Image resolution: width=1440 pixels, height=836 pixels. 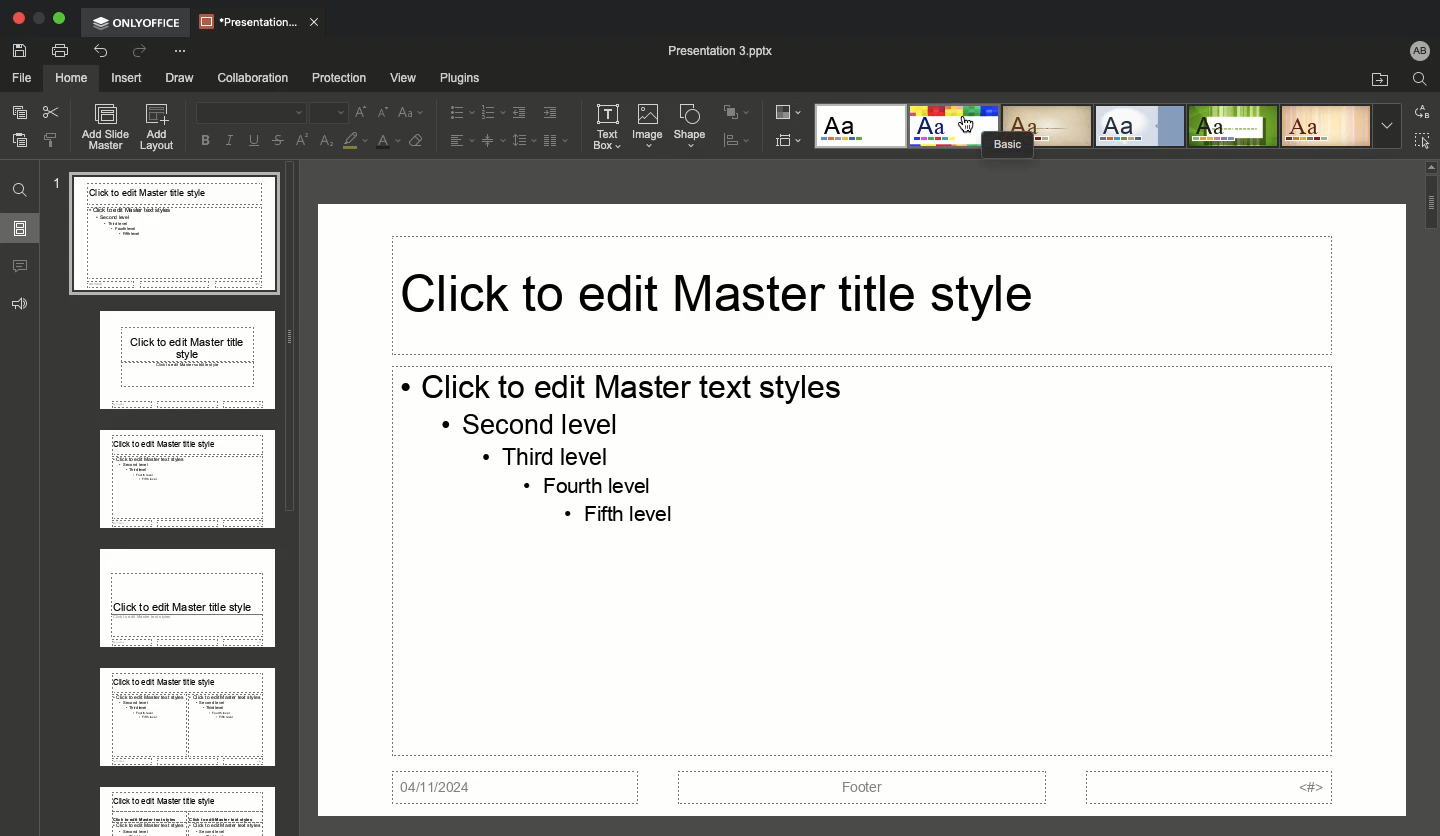 What do you see at coordinates (188, 364) in the screenshot?
I see `Layout master slide 2` at bounding box center [188, 364].